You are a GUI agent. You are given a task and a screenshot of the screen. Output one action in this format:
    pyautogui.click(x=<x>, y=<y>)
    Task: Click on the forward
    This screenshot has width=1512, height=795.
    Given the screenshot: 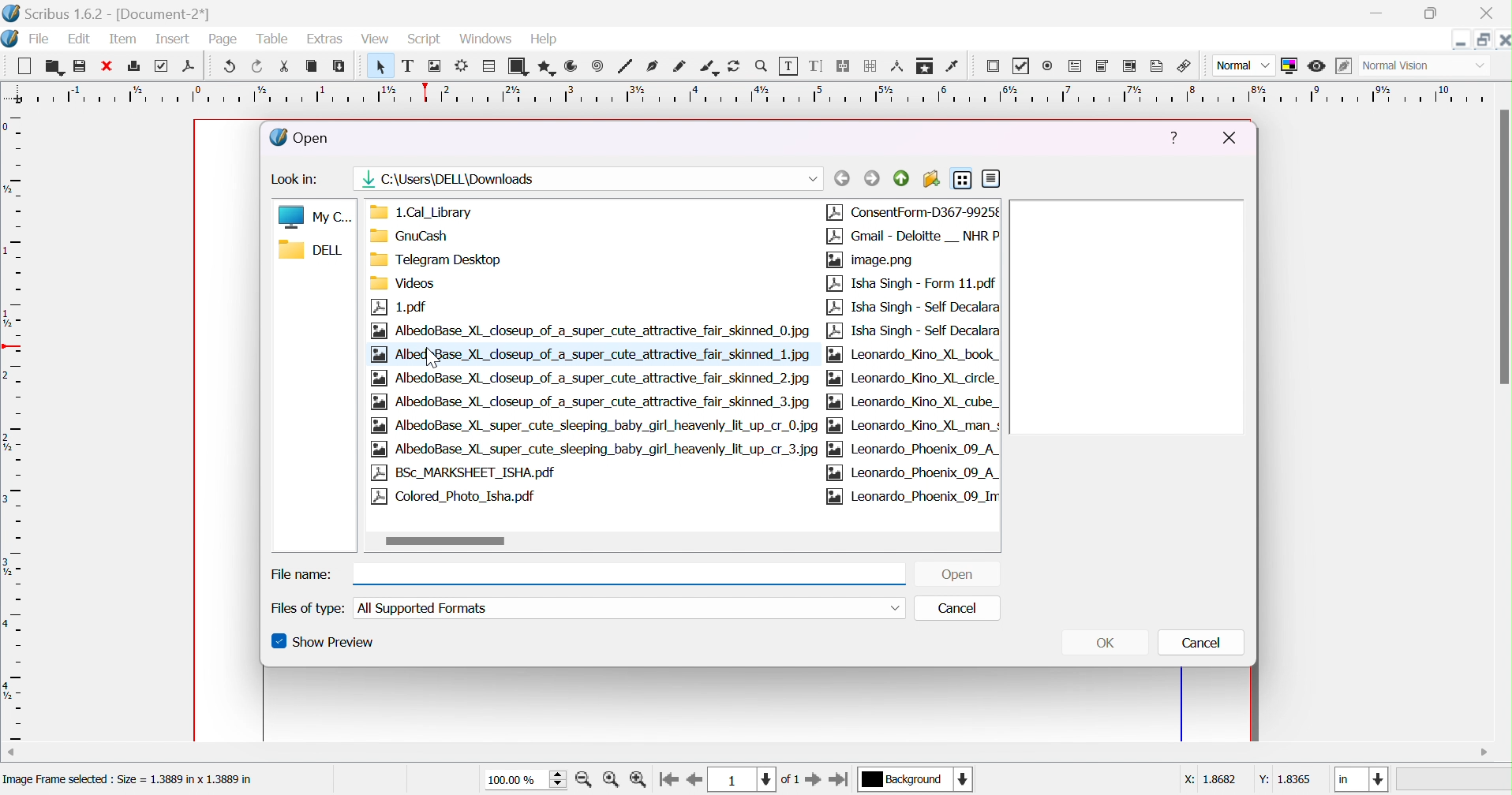 What is the action you would take?
    pyautogui.click(x=872, y=177)
    